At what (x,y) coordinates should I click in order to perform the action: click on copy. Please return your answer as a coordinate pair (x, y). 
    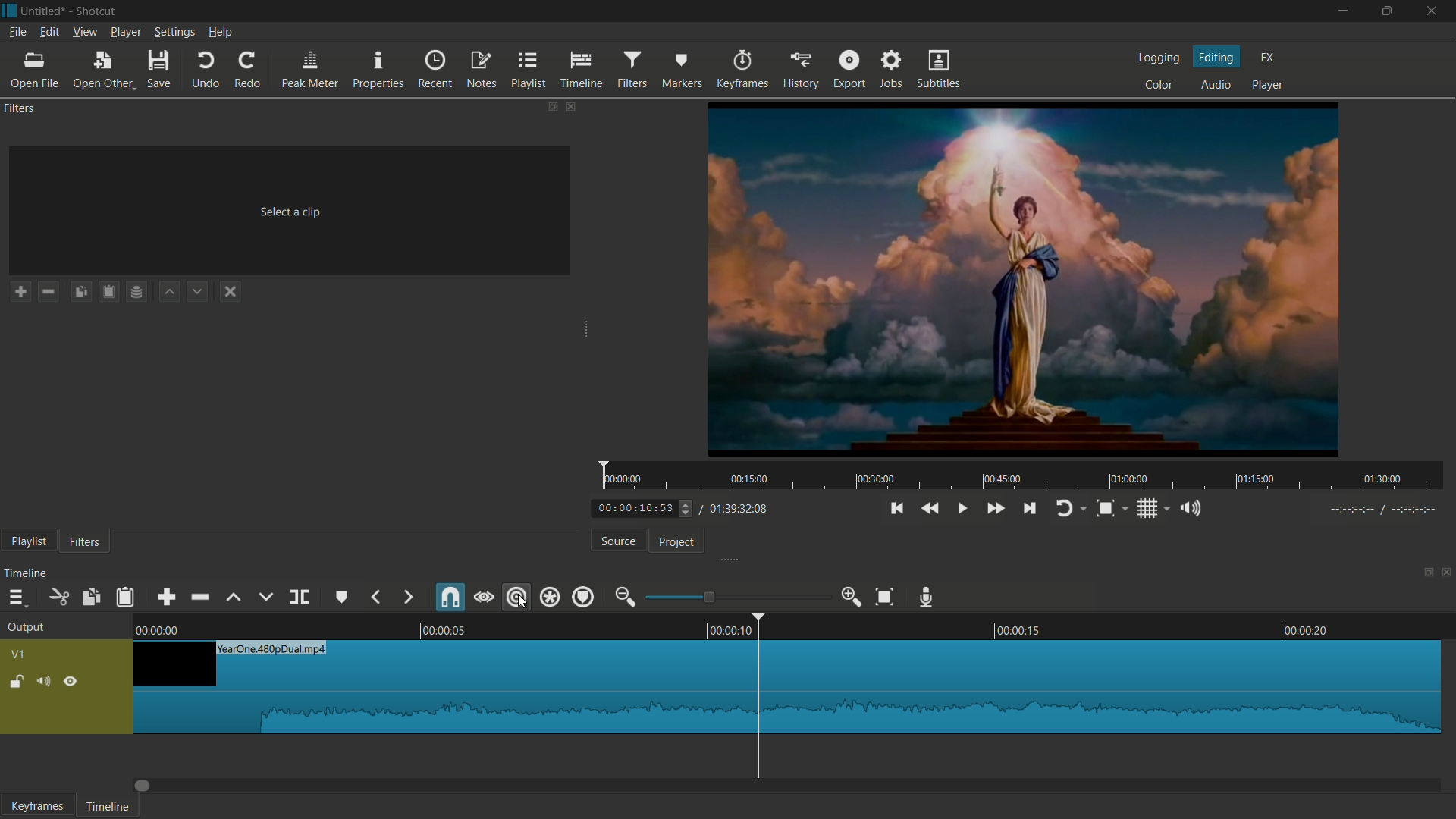
    Looking at the image, I should click on (89, 598).